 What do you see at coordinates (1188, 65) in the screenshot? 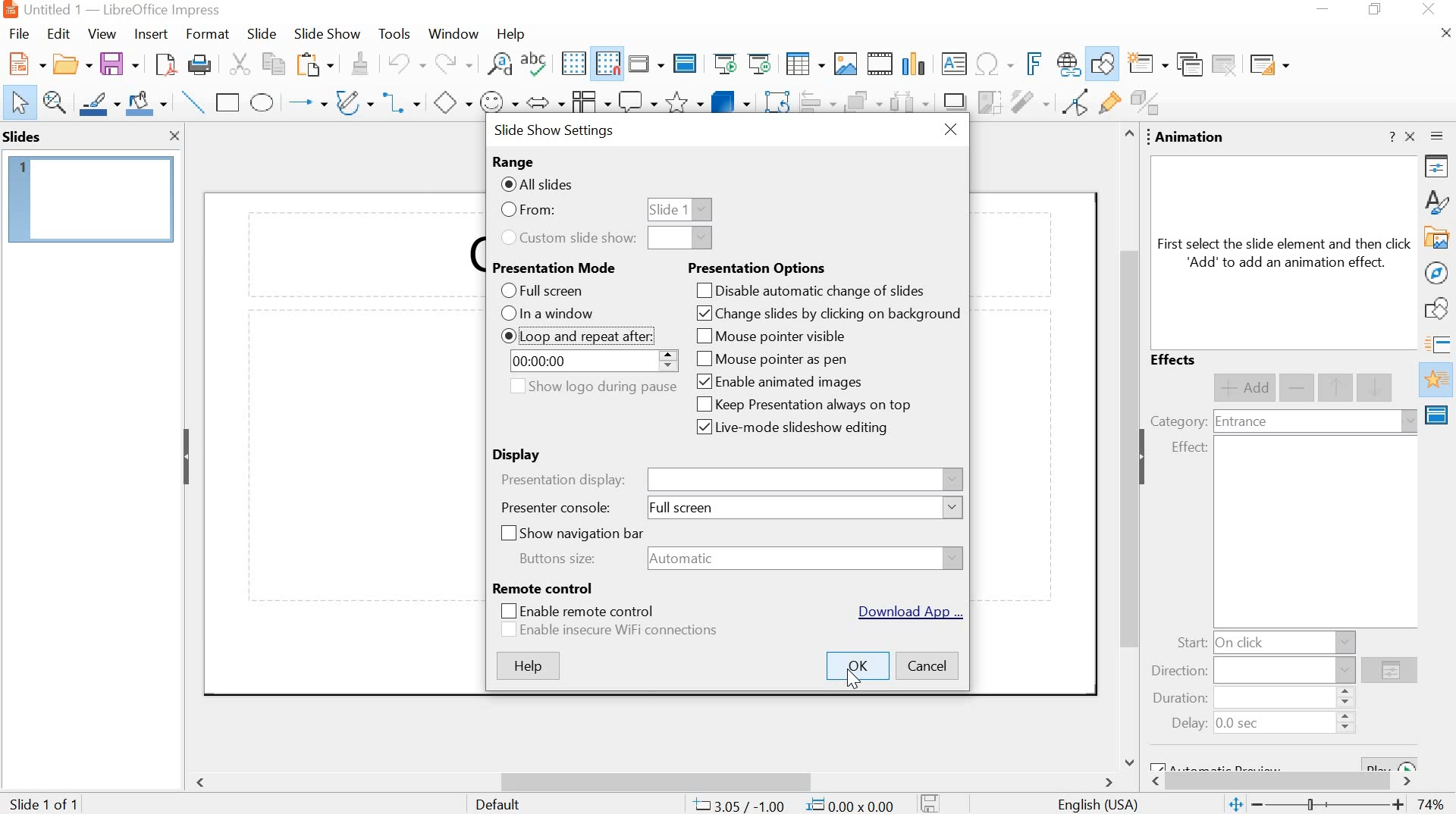
I see `duplicate slide` at bounding box center [1188, 65].